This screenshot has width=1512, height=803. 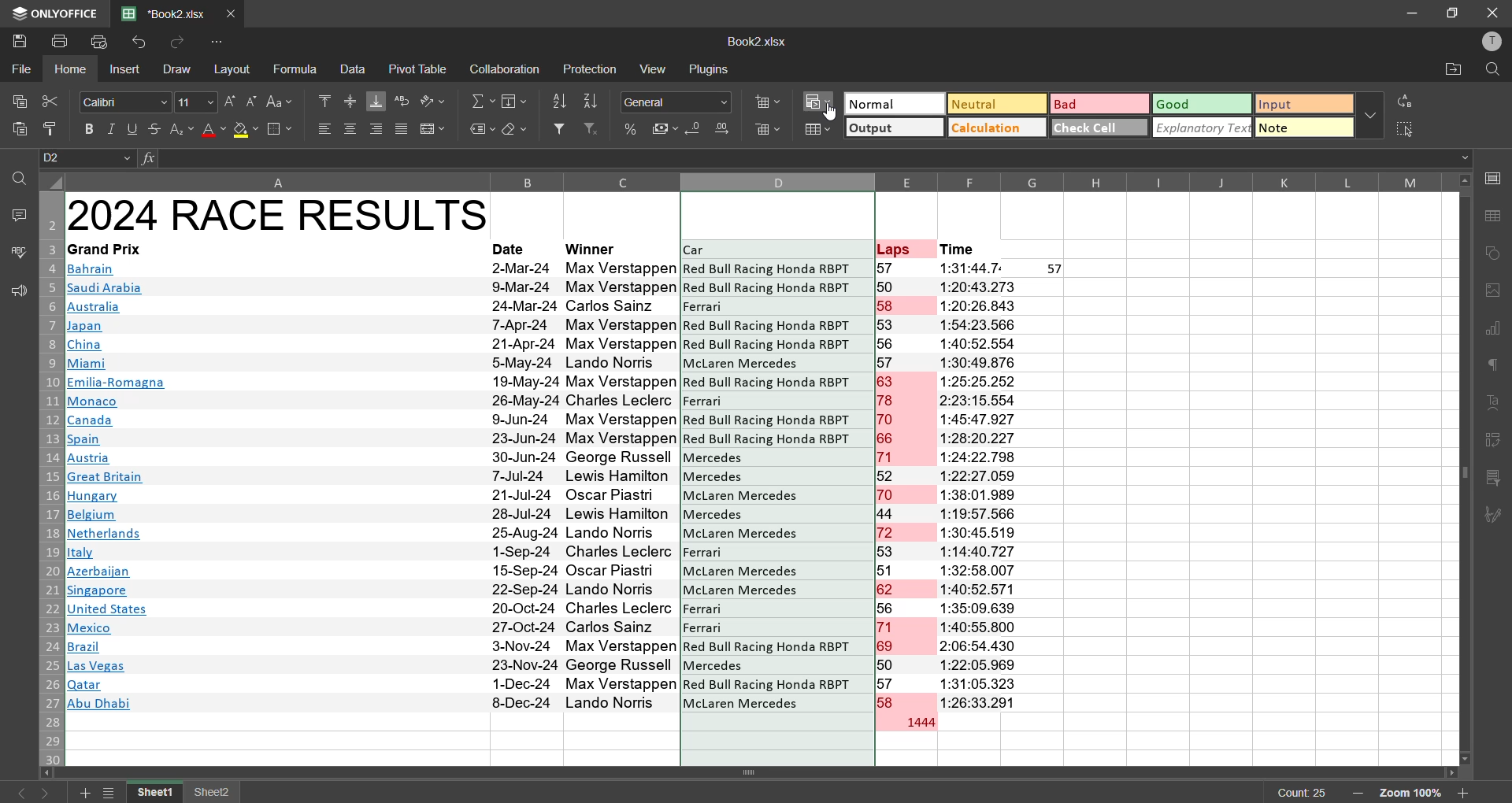 I want to click on conditional formatting, so click(x=821, y=102).